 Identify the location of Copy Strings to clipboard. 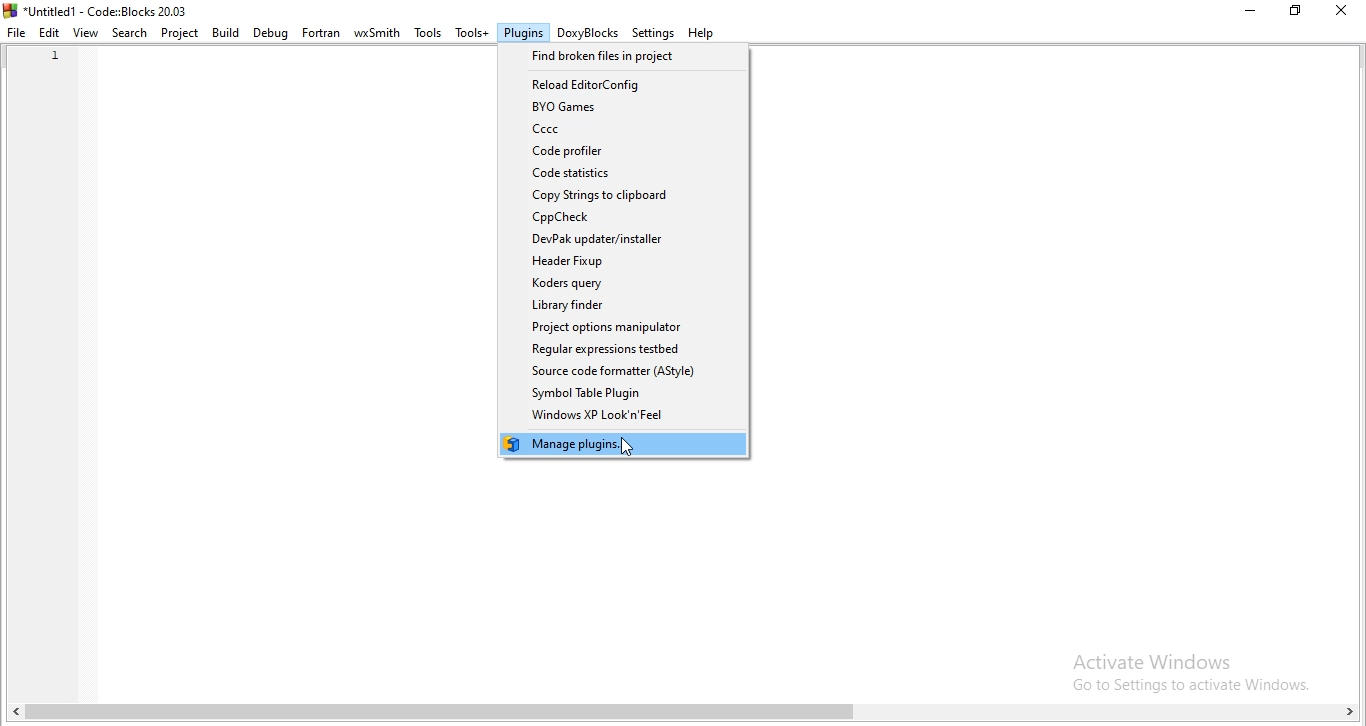
(625, 195).